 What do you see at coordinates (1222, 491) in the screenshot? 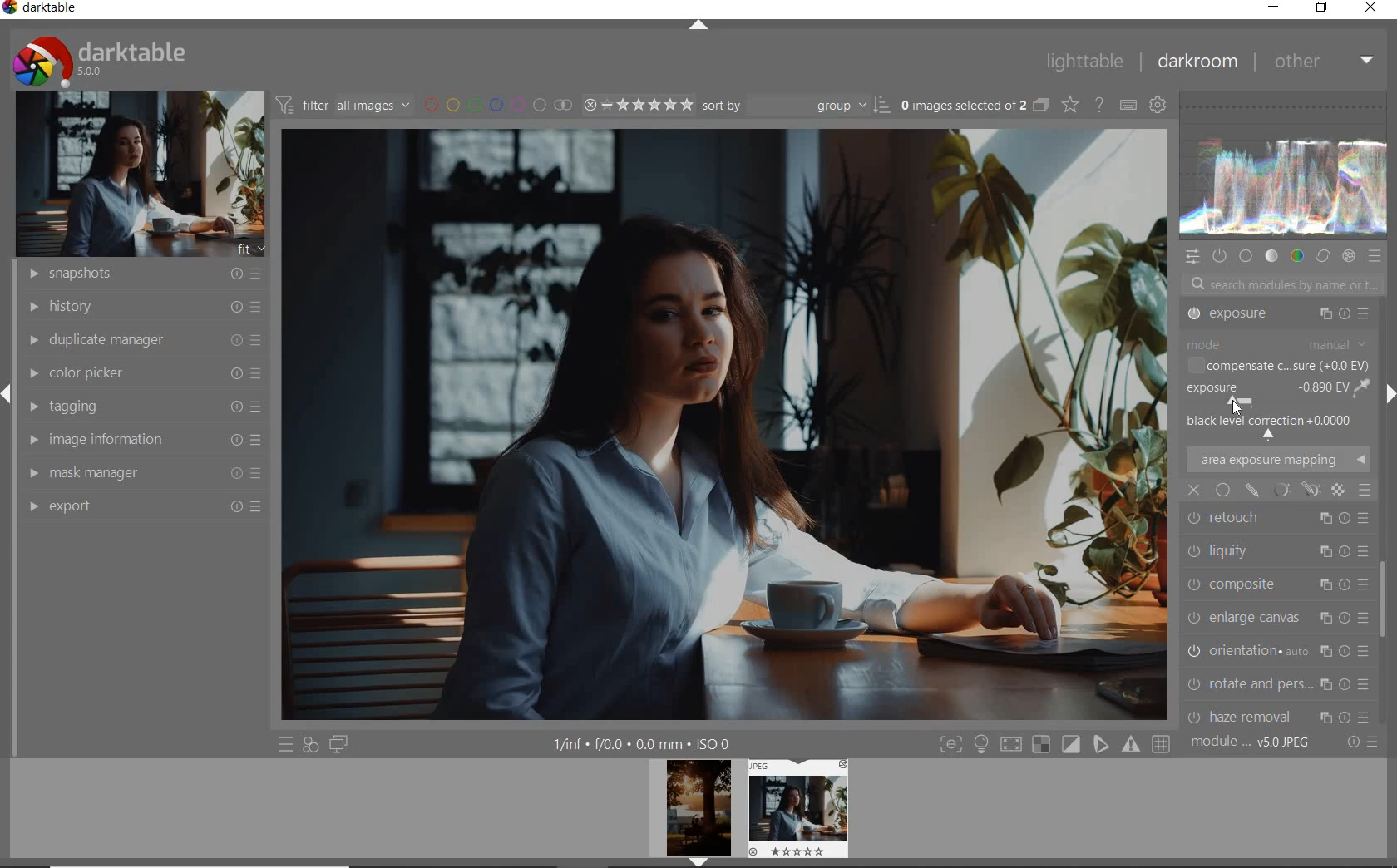
I see `uniformly` at bounding box center [1222, 491].